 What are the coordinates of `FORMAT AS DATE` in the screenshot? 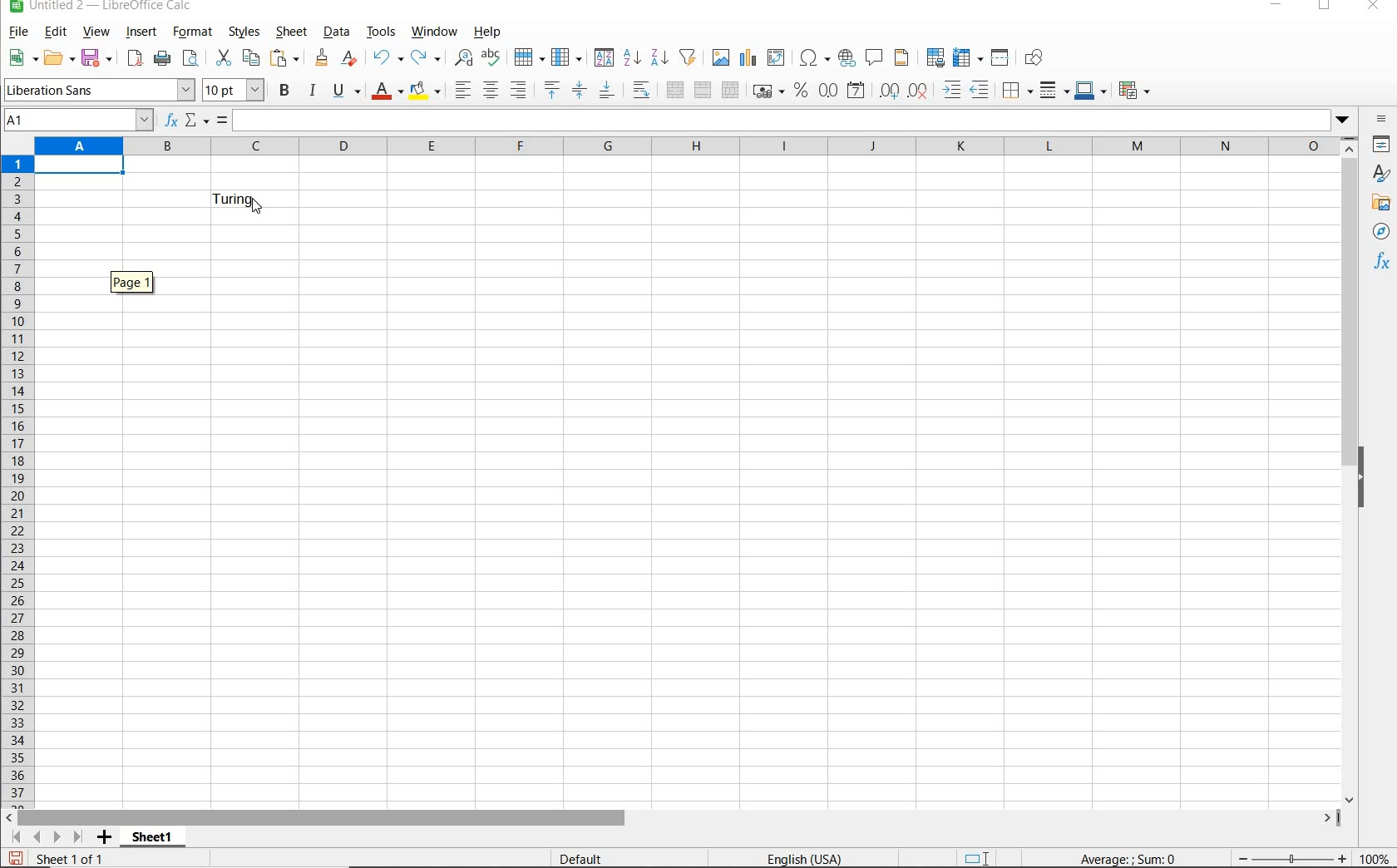 It's located at (856, 89).